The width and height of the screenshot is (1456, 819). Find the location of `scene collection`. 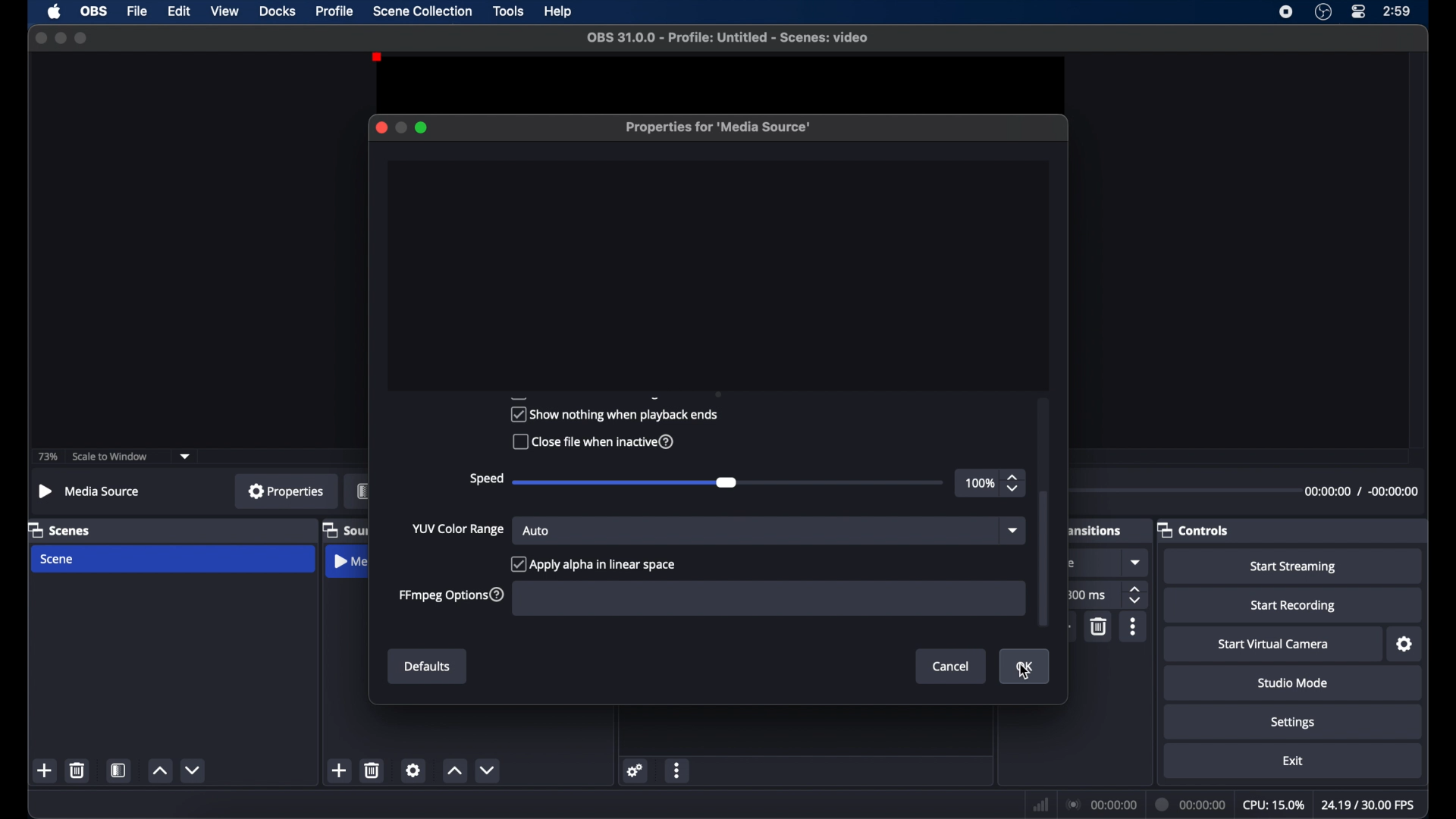

scene collection is located at coordinates (422, 11).